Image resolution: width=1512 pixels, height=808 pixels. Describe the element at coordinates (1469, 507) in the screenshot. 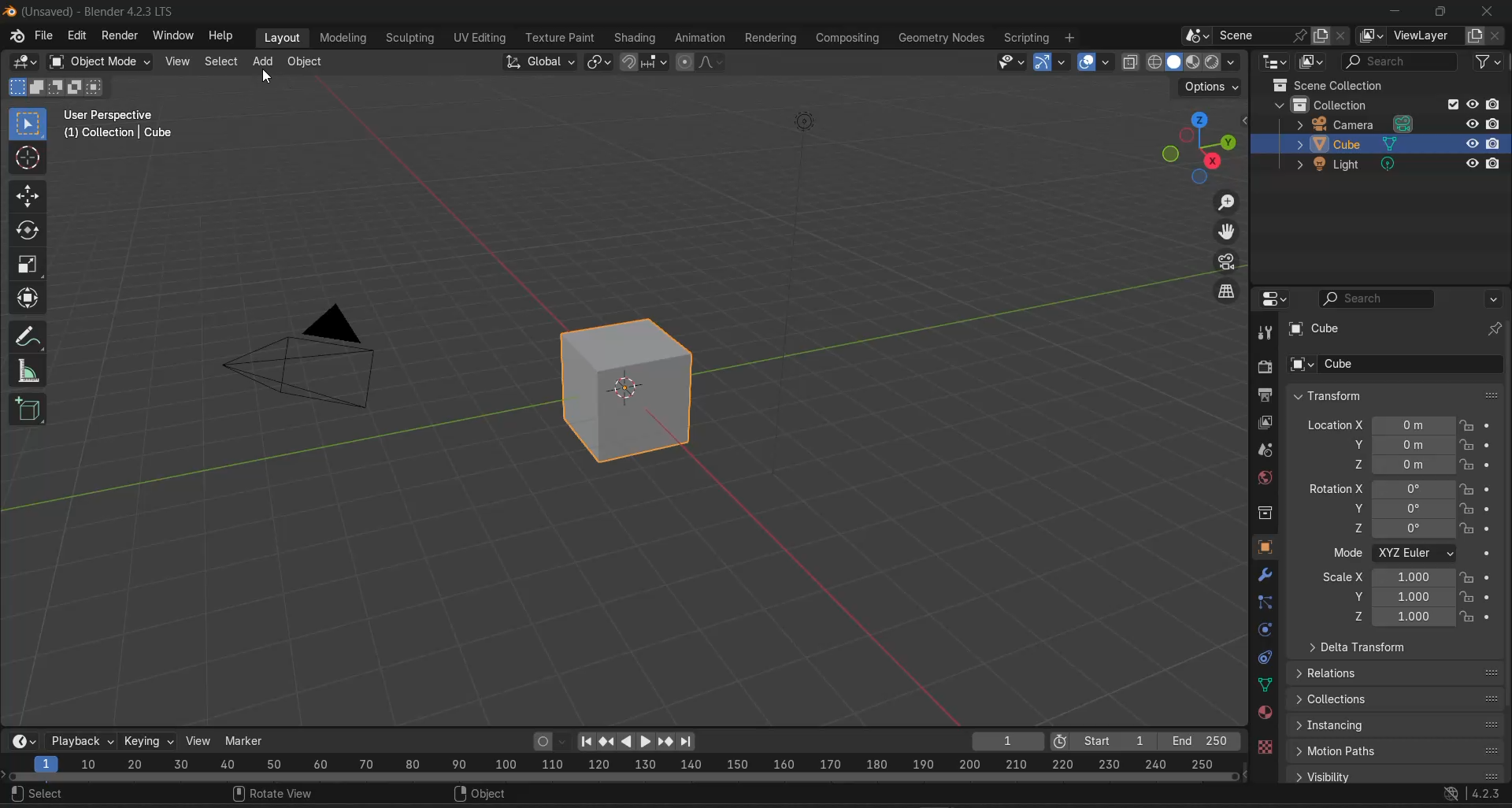

I see `lock rotation` at that location.